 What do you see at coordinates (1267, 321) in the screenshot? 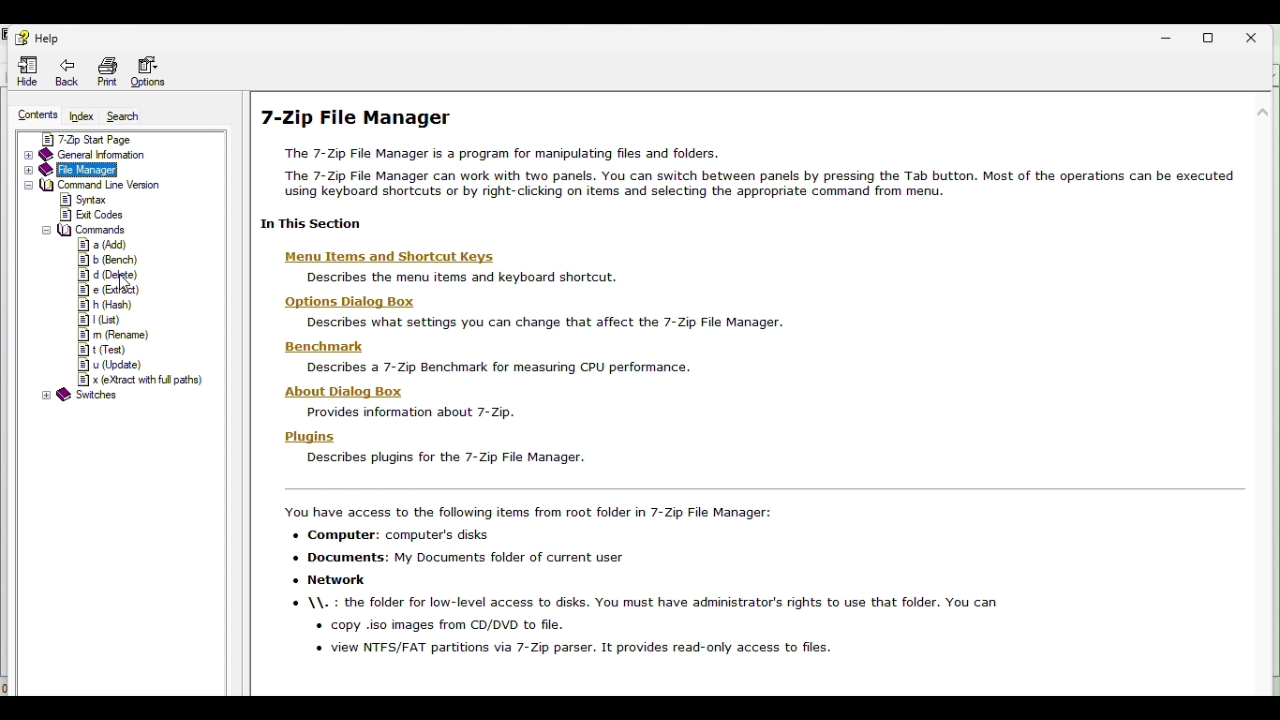
I see `scroll bar` at bounding box center [1267, 321].